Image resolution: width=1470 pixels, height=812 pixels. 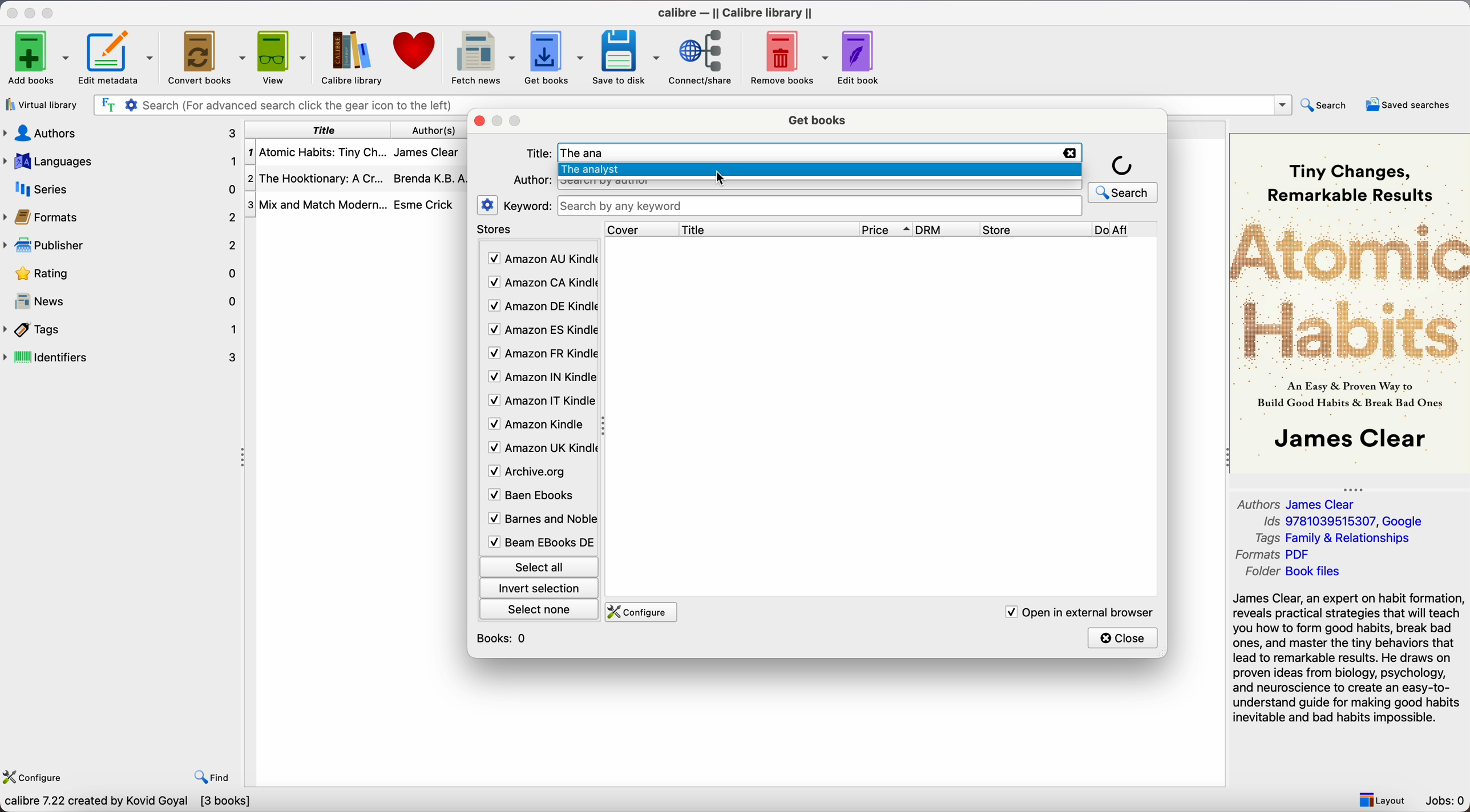 What do you see at coordinates (789, 57) in the screenshot?
I see `remove books` at bounding box center [789, 57].